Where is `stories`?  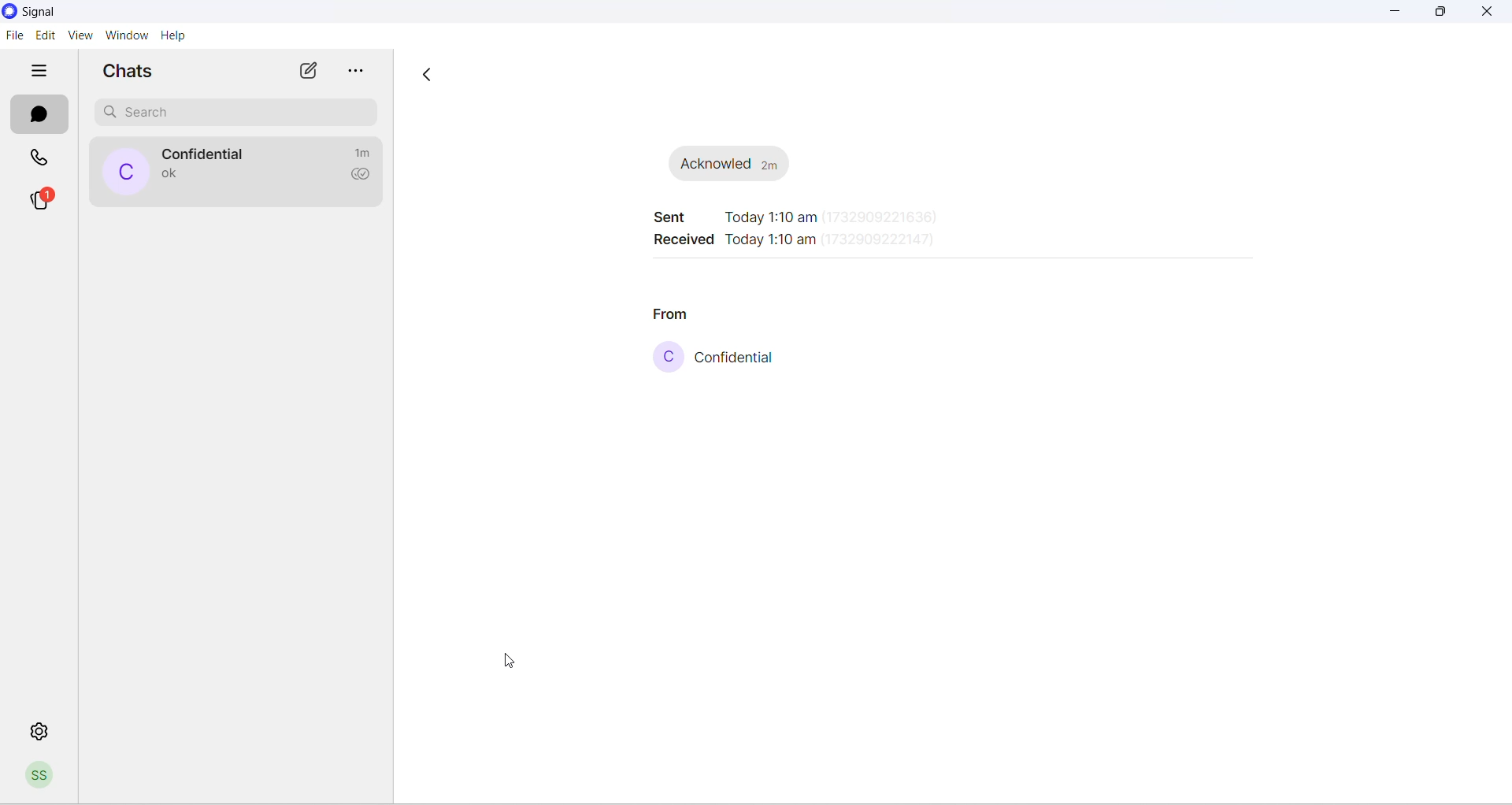 stories is located at coordinates (43, 202).